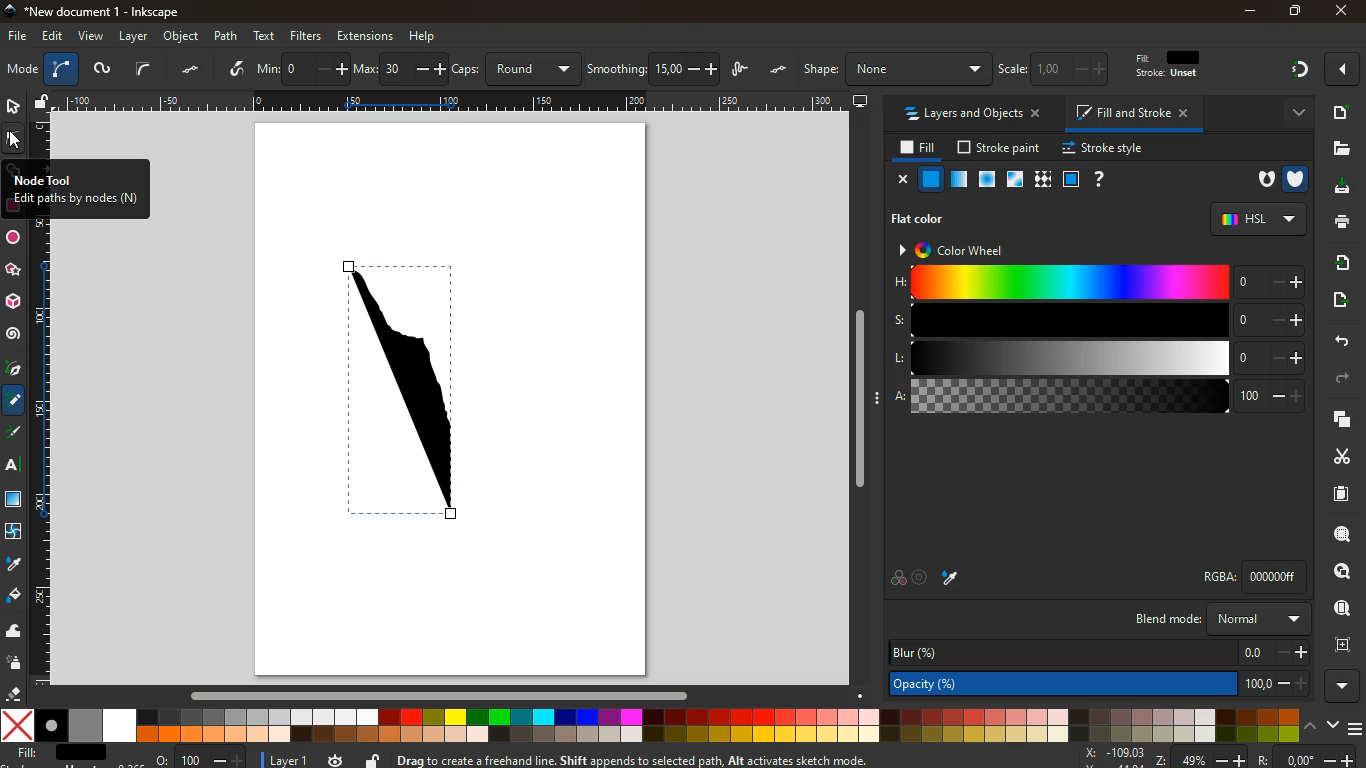 The height and width of the screenshot is (768, 1366). I want to click on rope, so click(61, 69).